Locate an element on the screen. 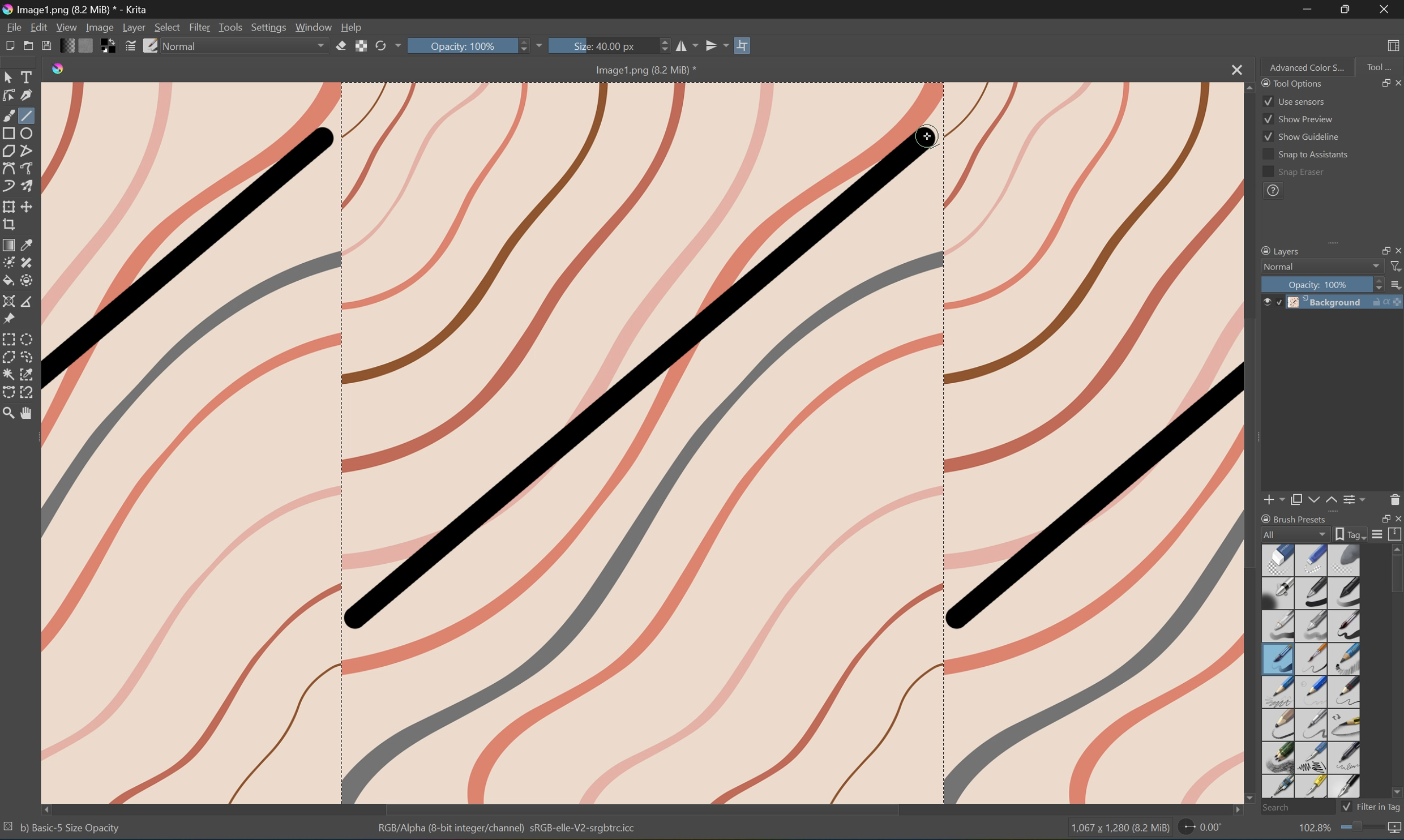 Image resolution: width=1404 pixels, height=840 pixels. Drop Down is located at coordinates (545, 44).